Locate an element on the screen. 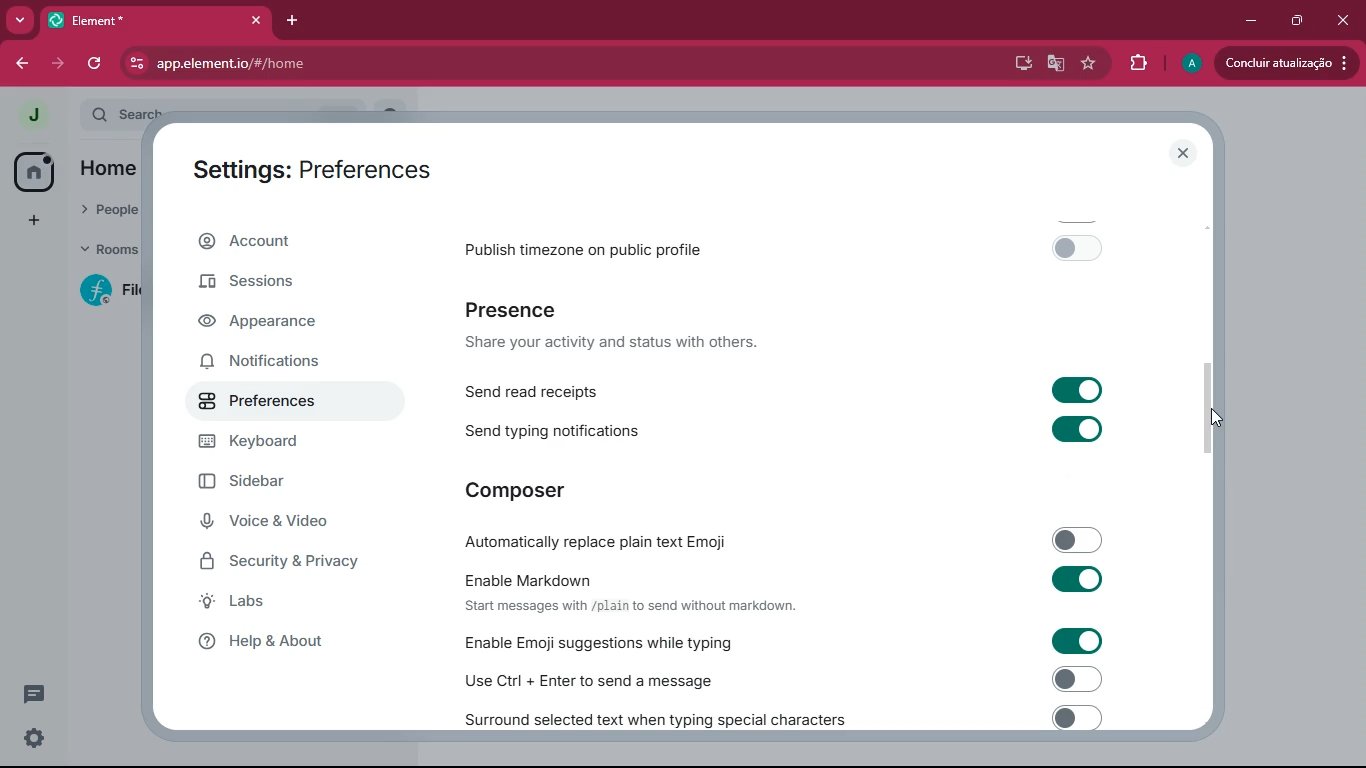 This screenshot has height=768, width=1366. profile is located at coordinates (1191, 63).